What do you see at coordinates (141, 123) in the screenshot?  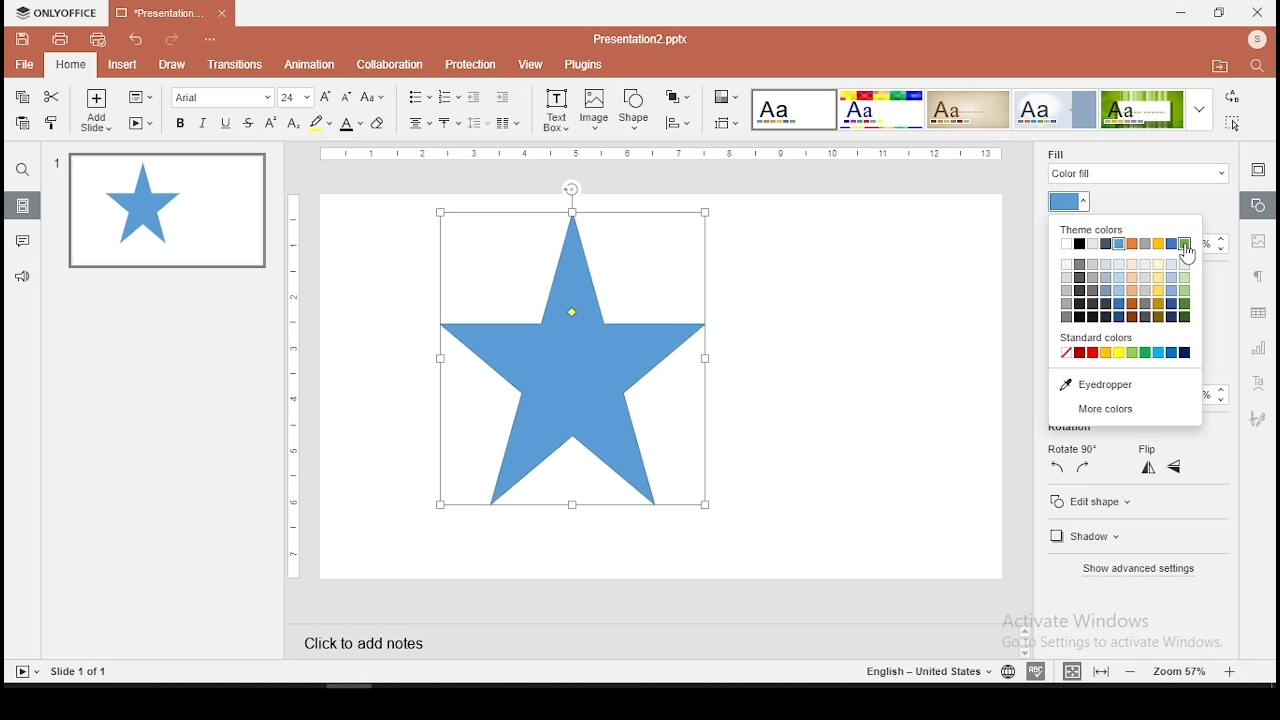 I see `start slideshow` at bounding box center [141, 123].